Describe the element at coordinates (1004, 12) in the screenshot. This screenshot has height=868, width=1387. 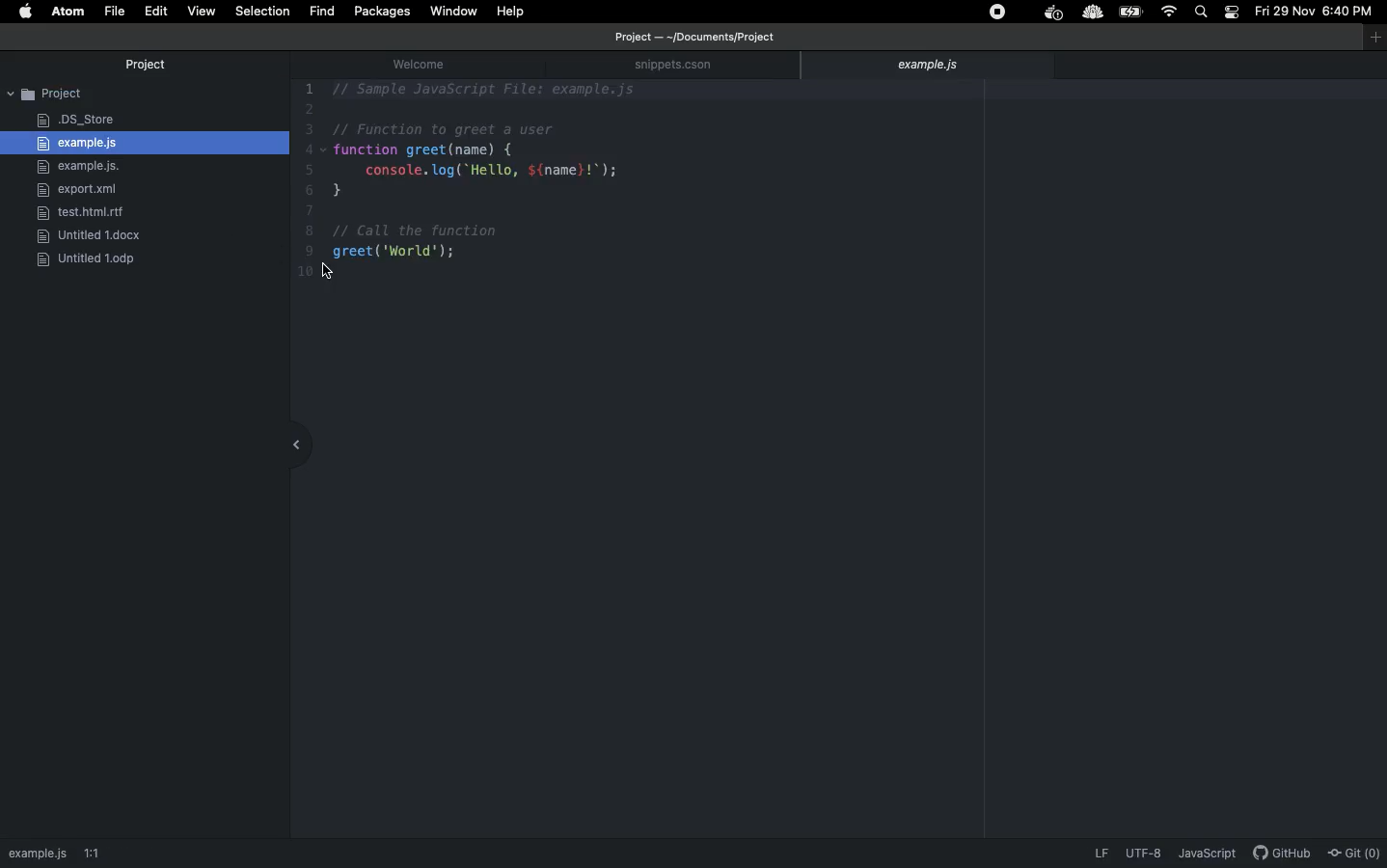
I see `Extensions` at that location.